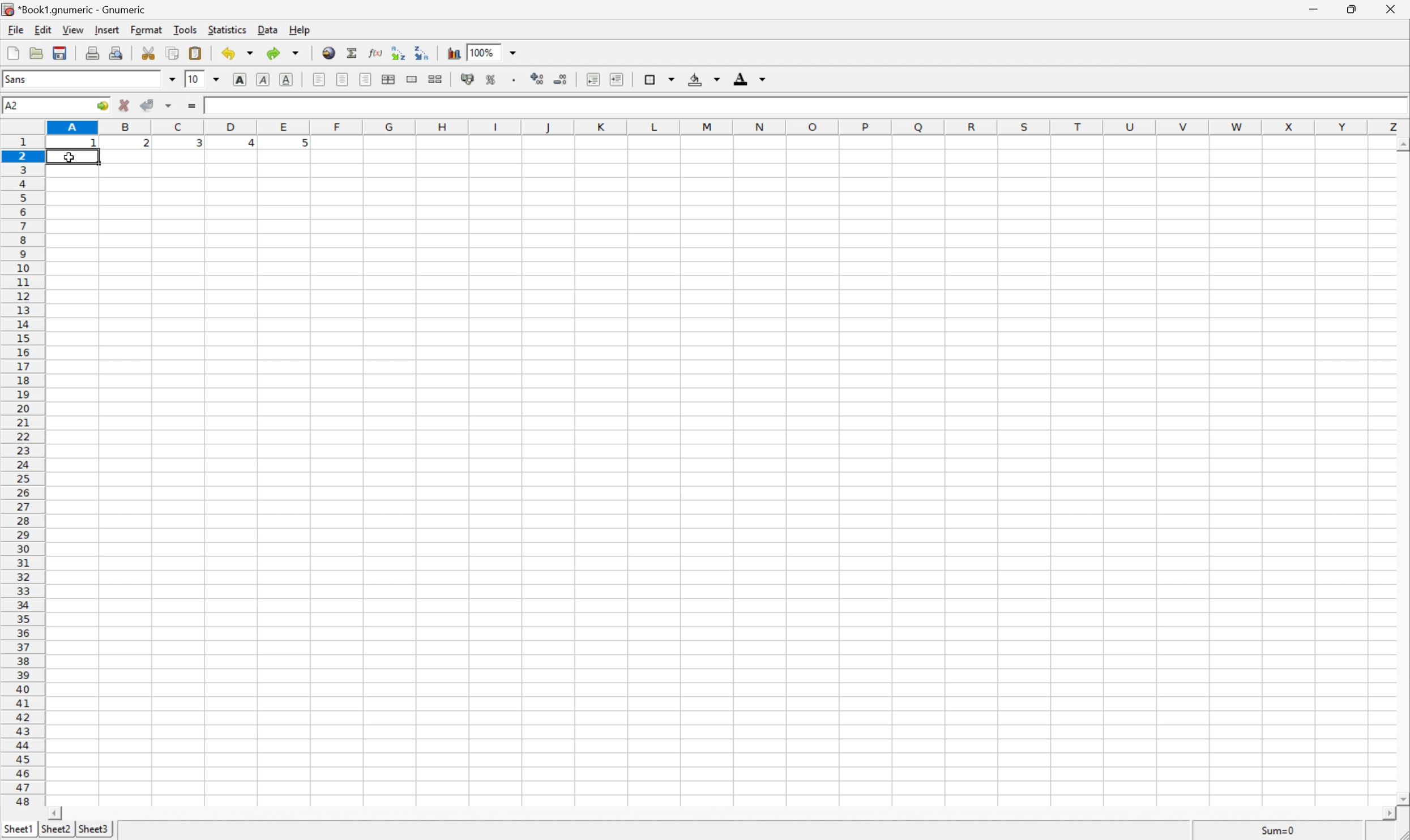  Describe the element at coordinates (514, 53) in the screenshot. I see `drop down` at that location.